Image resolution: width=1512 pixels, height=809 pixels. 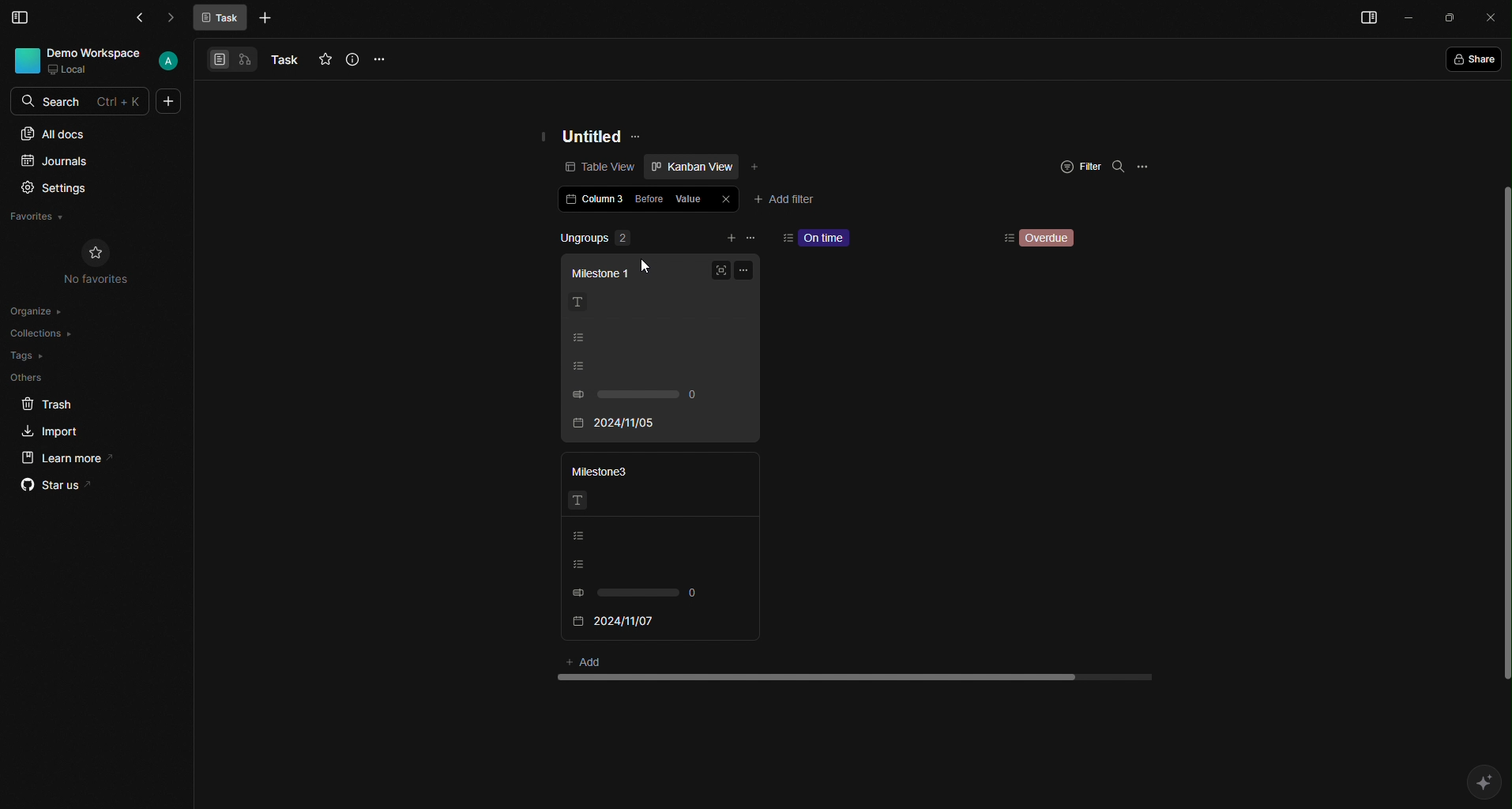 I want to click on More, so click(x=168, y=101).